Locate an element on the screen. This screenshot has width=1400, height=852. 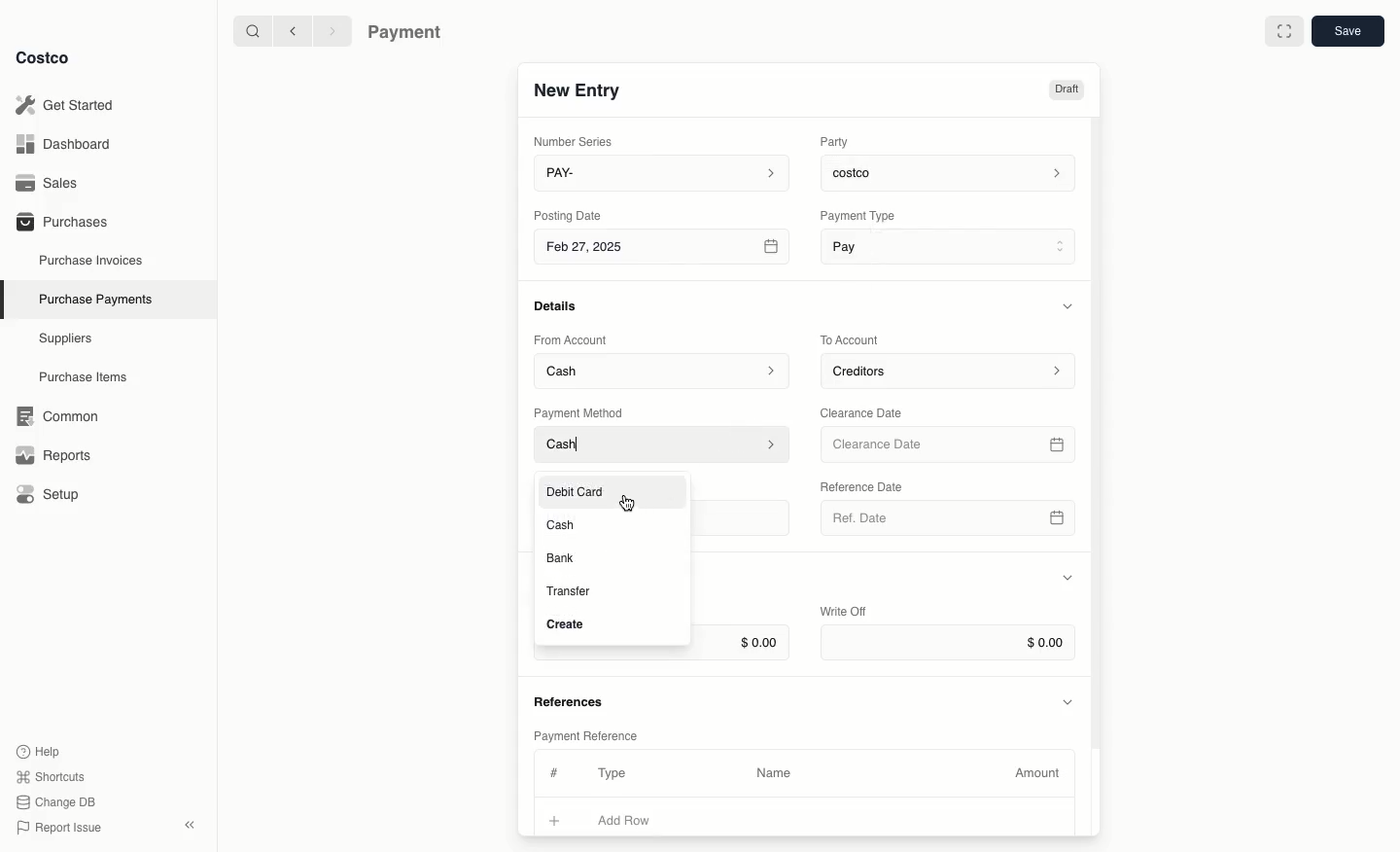
Name is located at coordinates (774, 773).